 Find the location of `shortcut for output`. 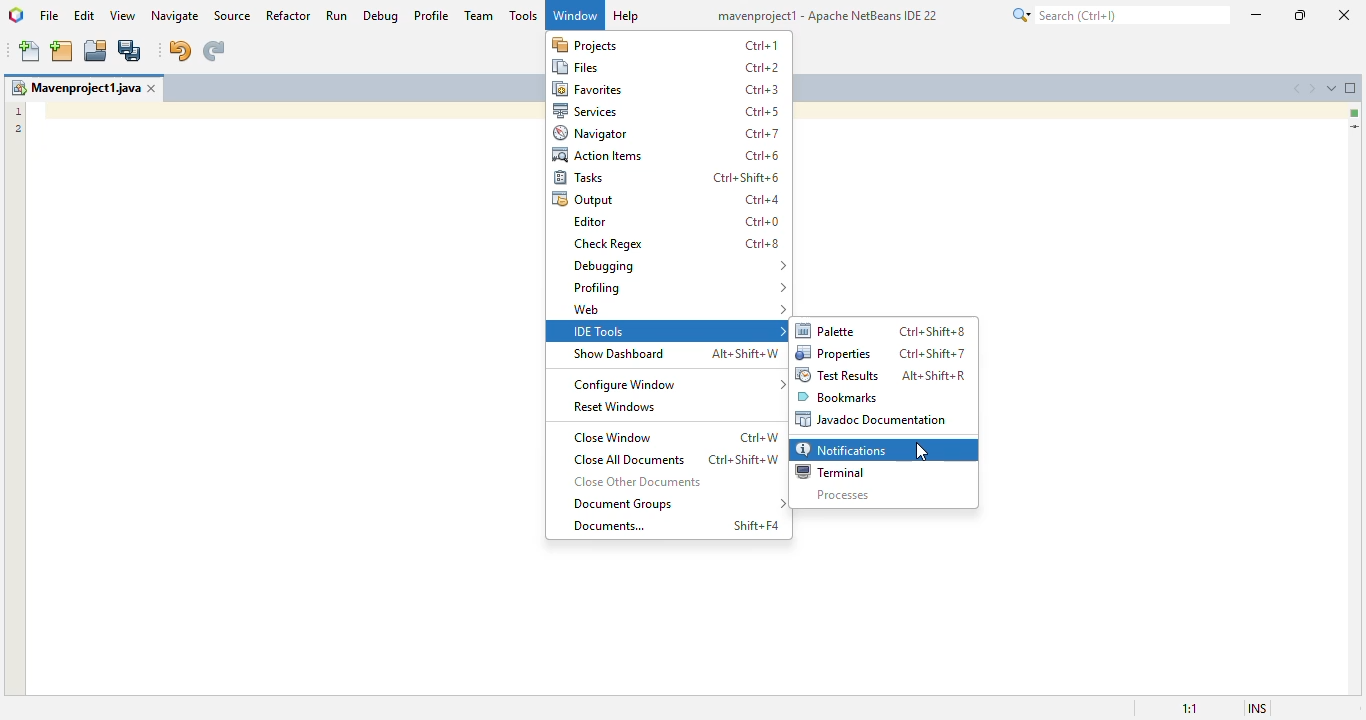

shortcut for output is located at coordinates (762, 199).